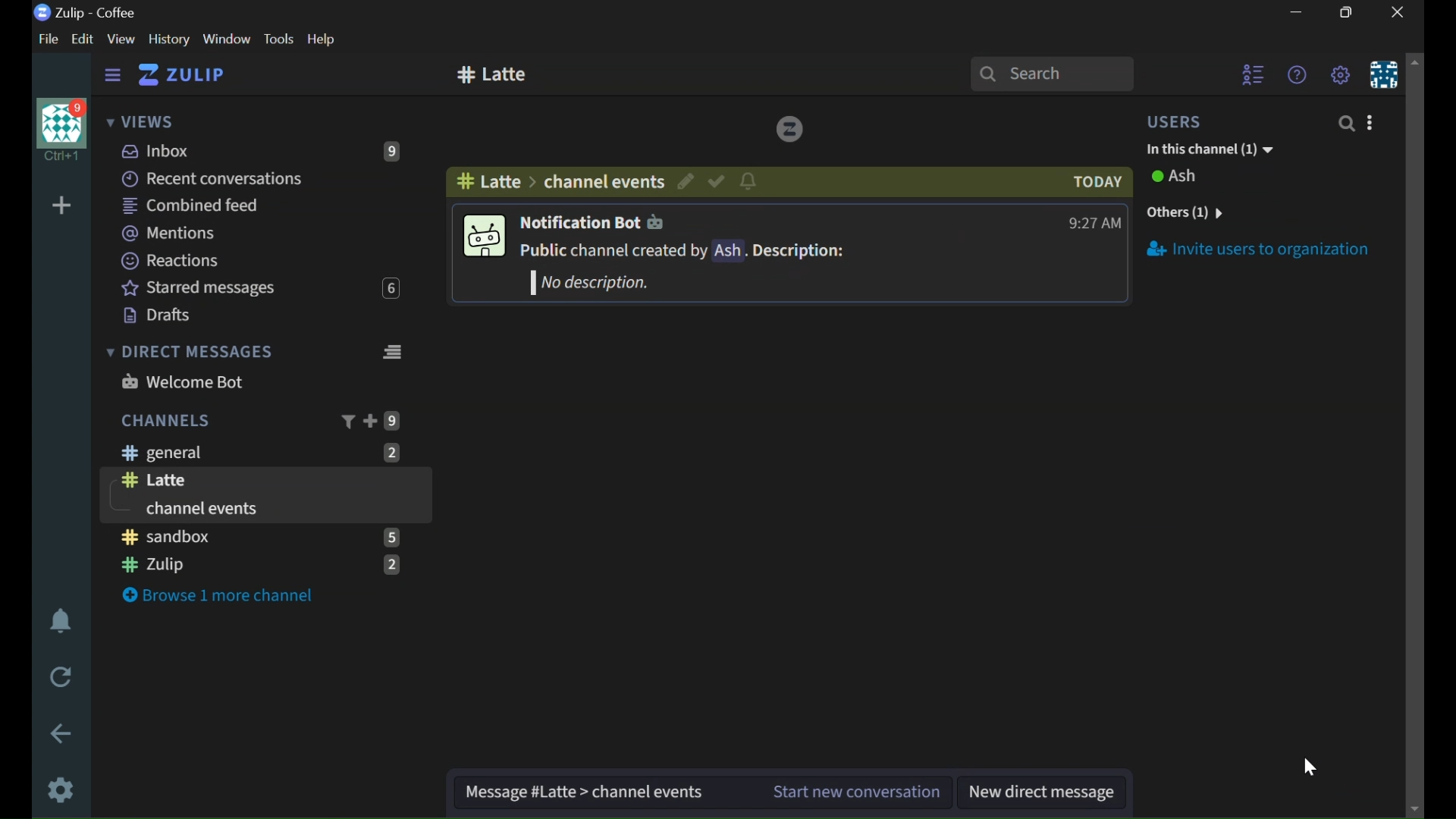 Image resolution: width=1456 pixels, height=819 pixels. I want to click on Ash, so click(1181, 180).